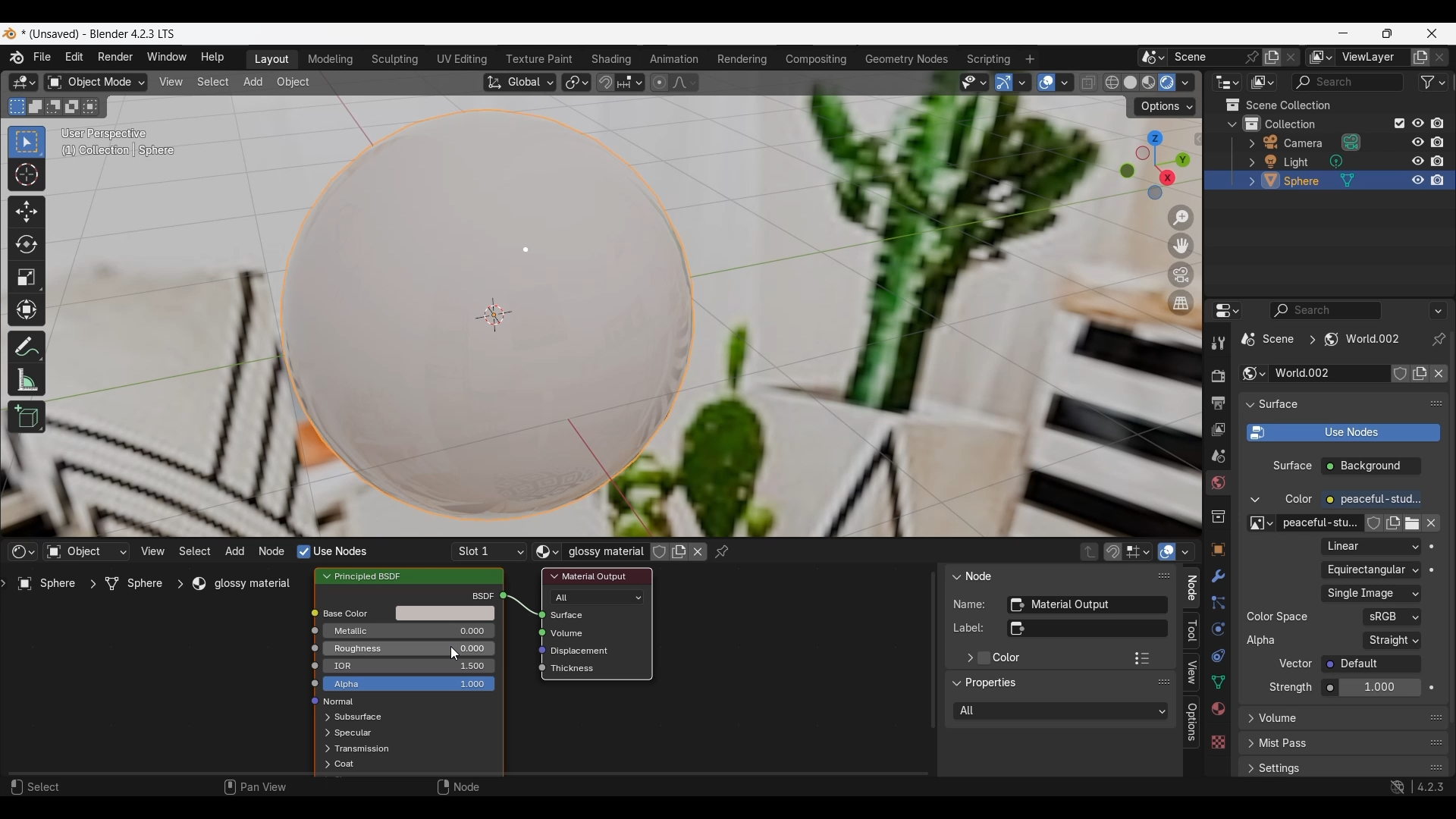 This screenshot has width=1456, height=819. What do you see at coordinates (344, 764) in the screenshot?
I see `Coat options` at bounding box center [344, 764].